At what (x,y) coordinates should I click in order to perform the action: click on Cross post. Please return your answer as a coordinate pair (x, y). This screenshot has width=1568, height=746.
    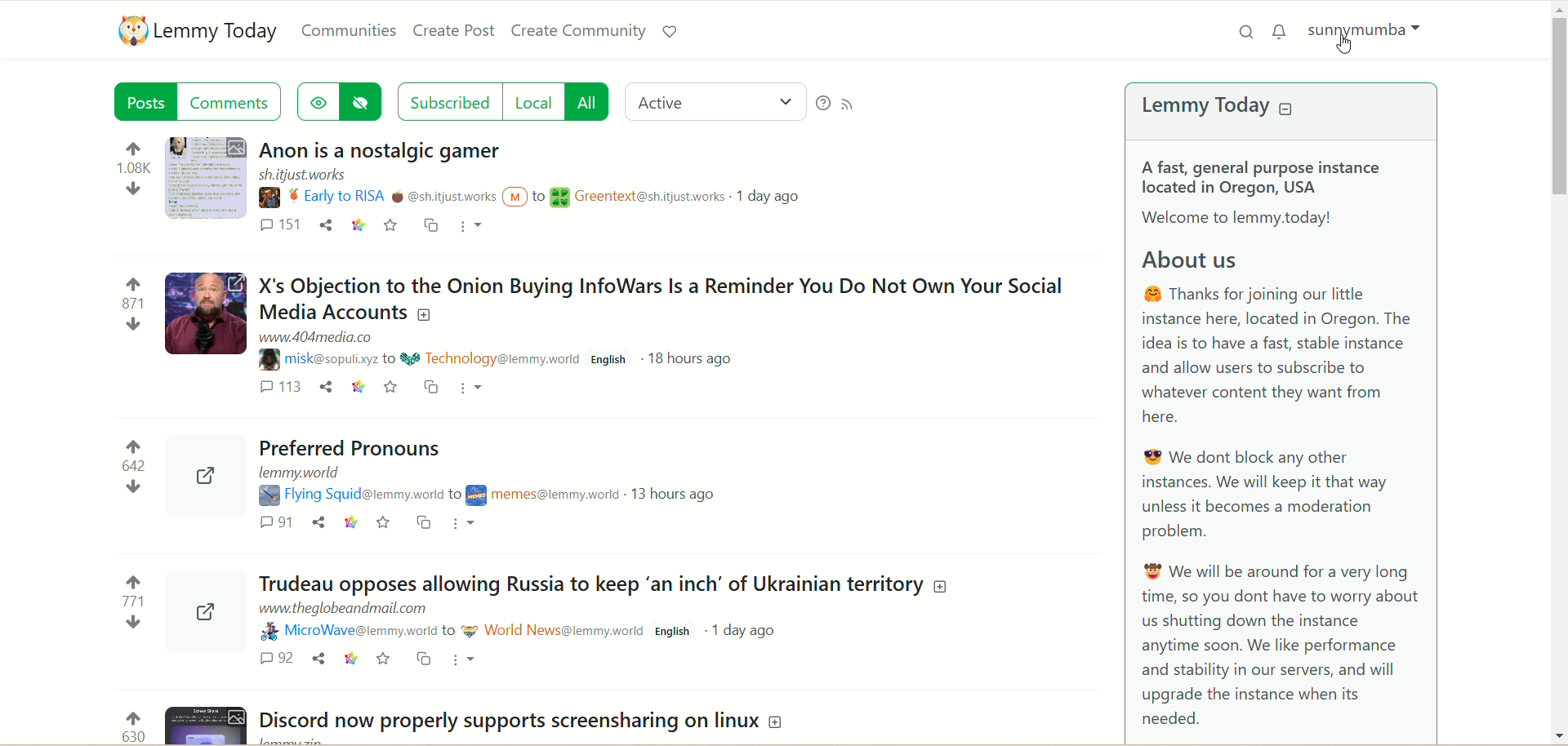
    Looking at the image, I should click on (425, 659).